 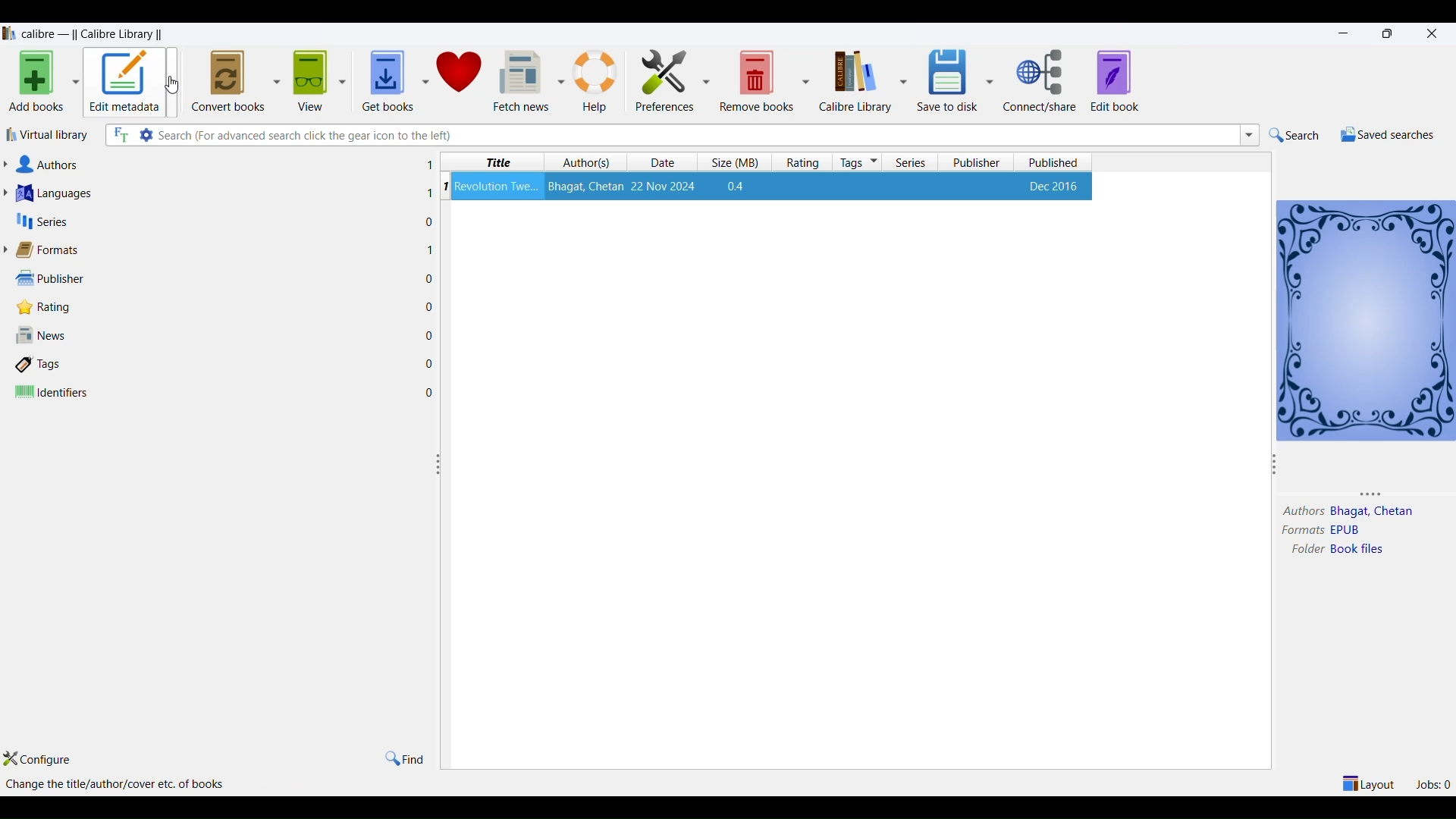 What do you see at coordinates (431, 221) in the screenshot?
I see `0` at bounding box center [431, 221].